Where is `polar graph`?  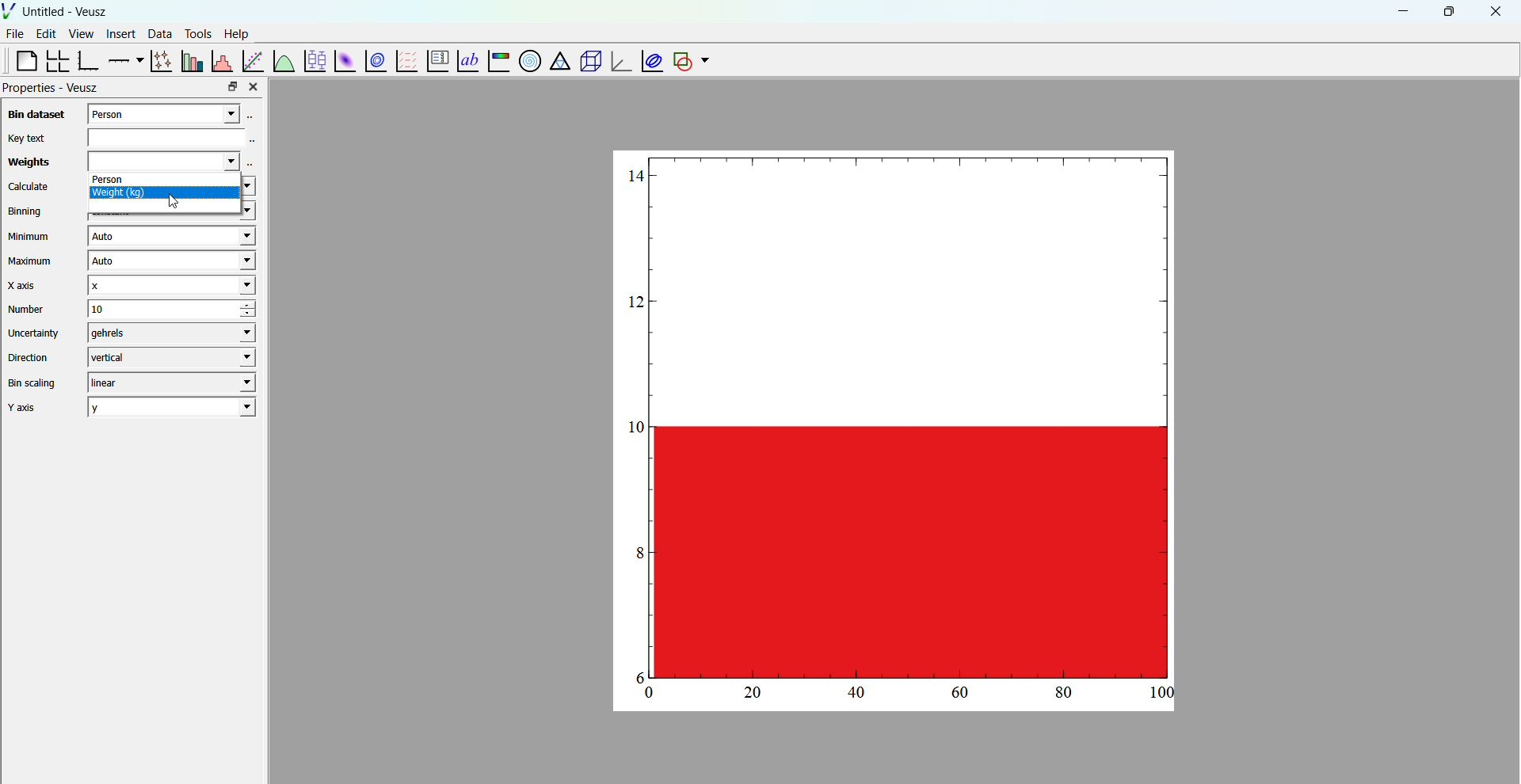 polar graph is located at coordinates (527, 60).